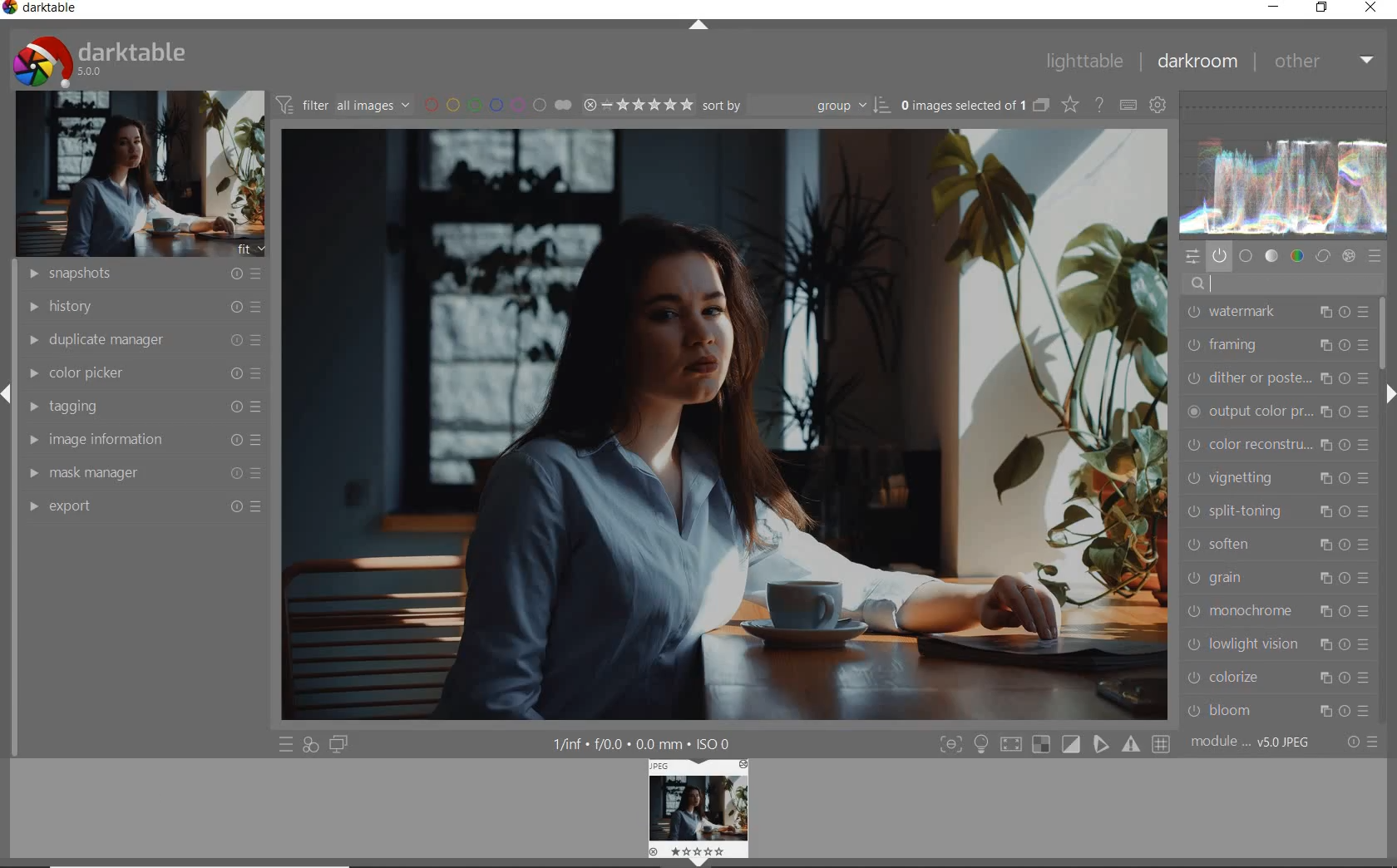 The width and height of the screenshot is (1397, 868). I want to click on show only active modules, so click(1220, 255).